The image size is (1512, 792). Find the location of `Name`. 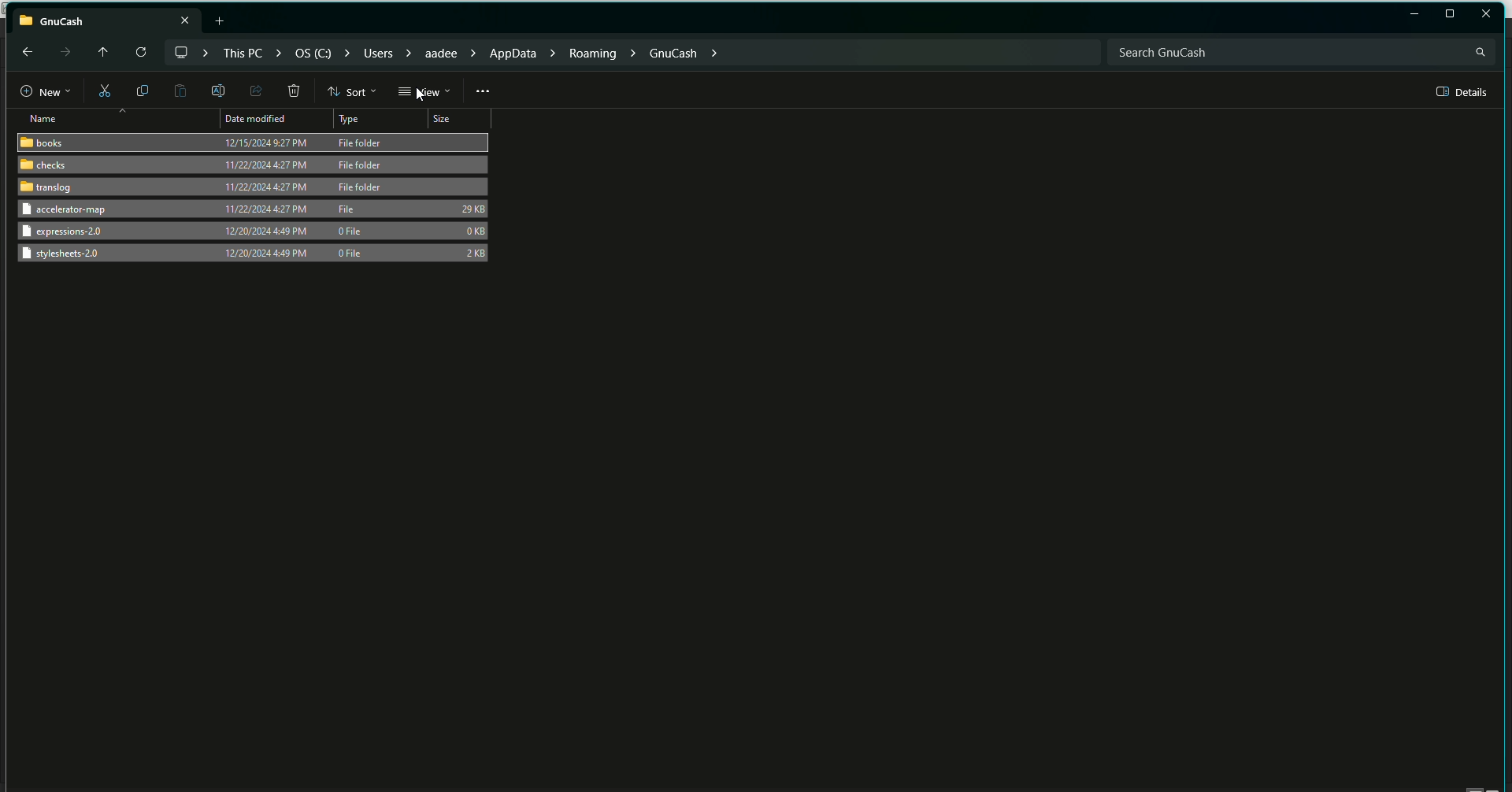

Name is located at coordinates (38, 119).